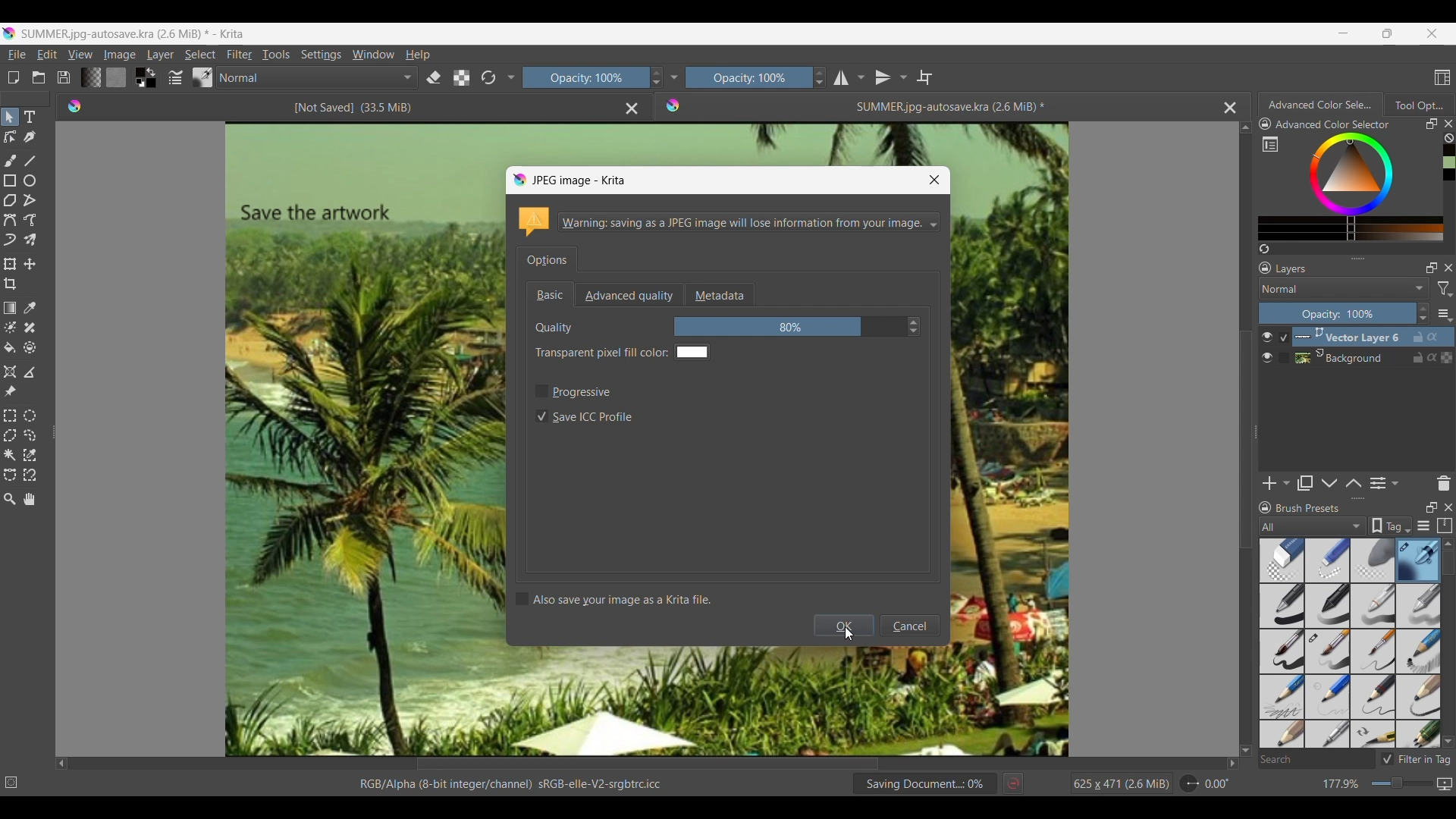  What do you see at coordinates (152, 83) in the screenshot?
I see `Background color` at bounding box center [152, 83].